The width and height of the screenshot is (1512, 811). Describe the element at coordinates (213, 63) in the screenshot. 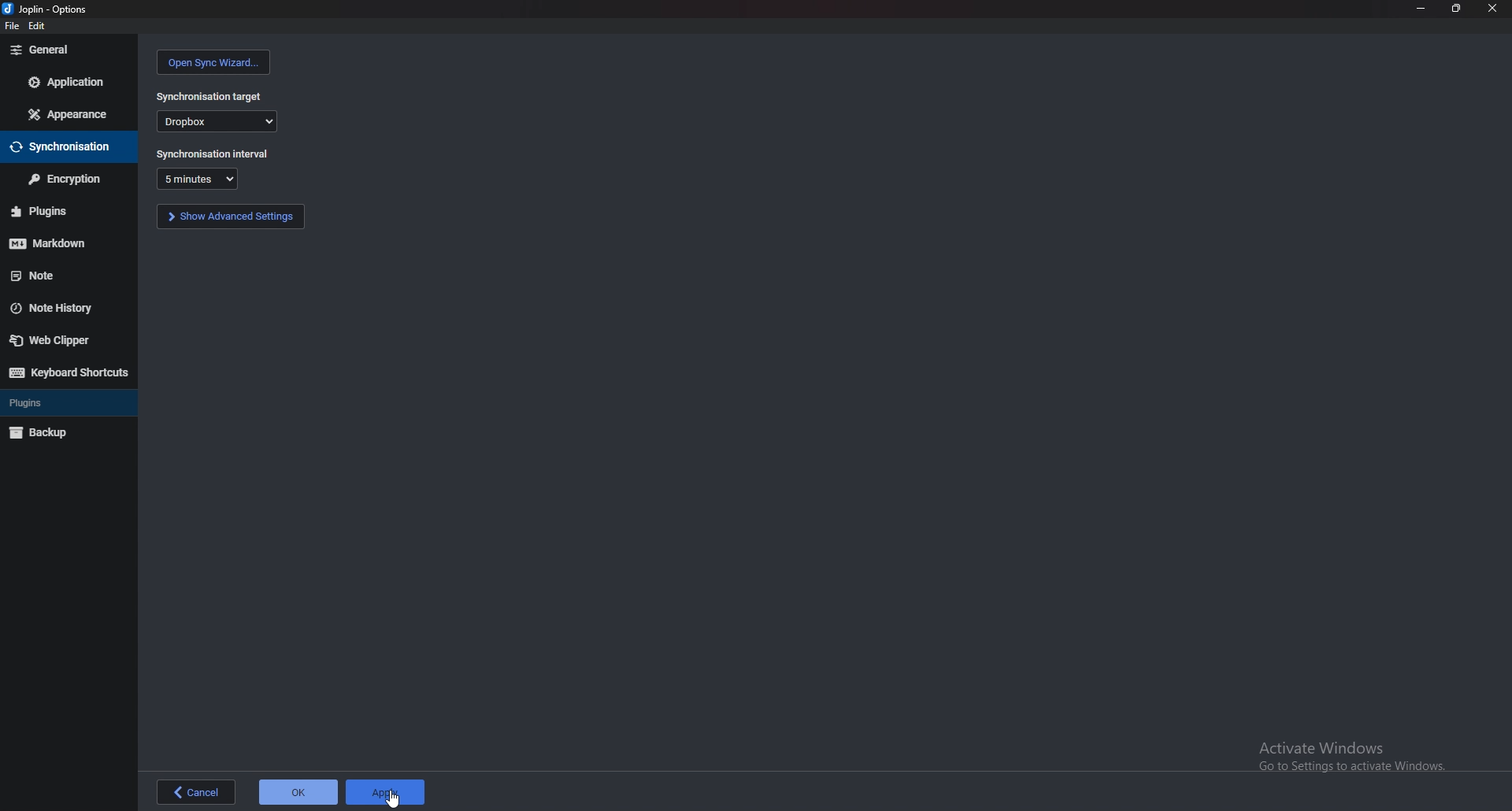

I see `open sync wizard` at that location.